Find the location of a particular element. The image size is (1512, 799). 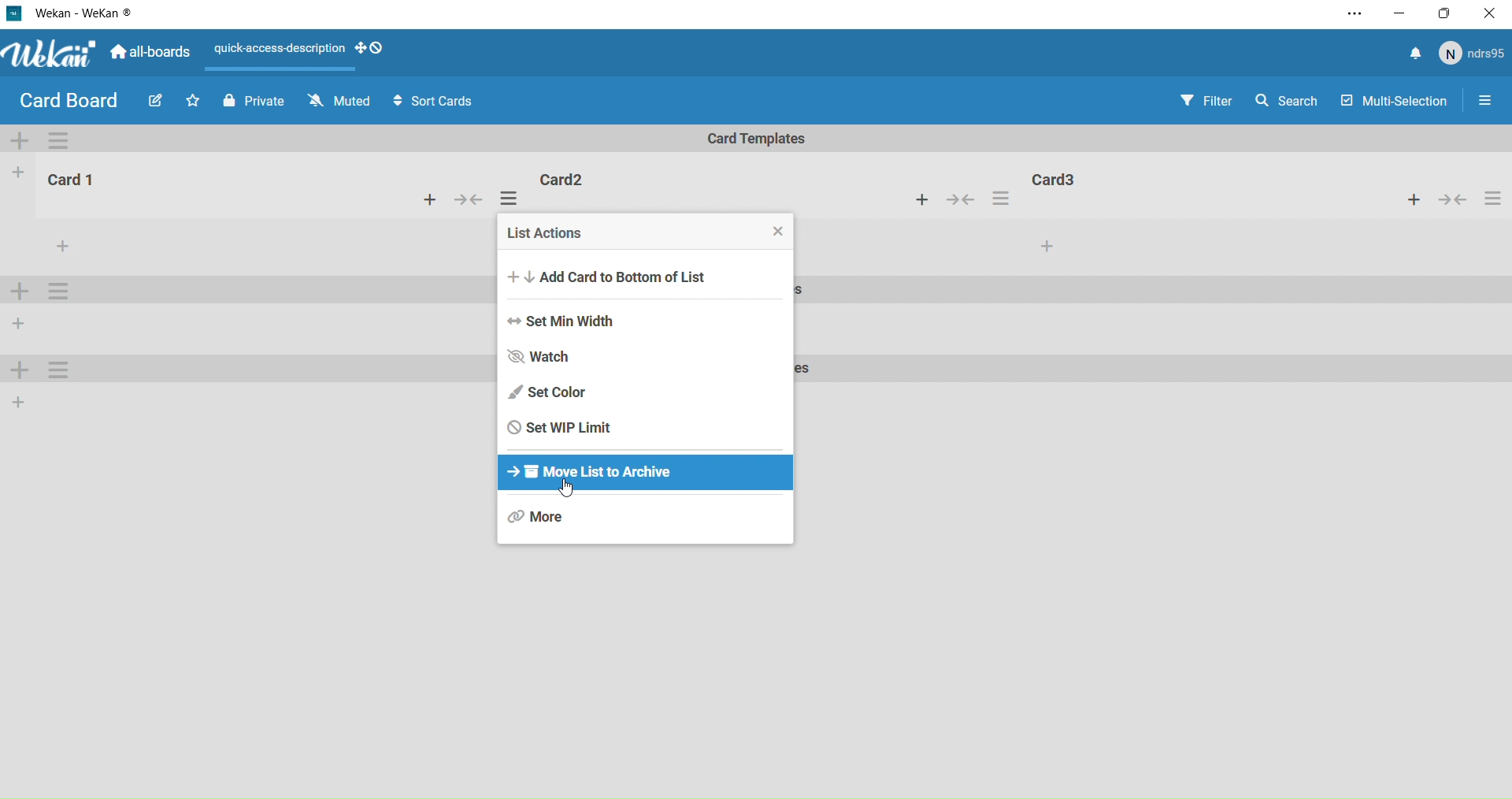

Actions is located at coordinates (1455, 200).